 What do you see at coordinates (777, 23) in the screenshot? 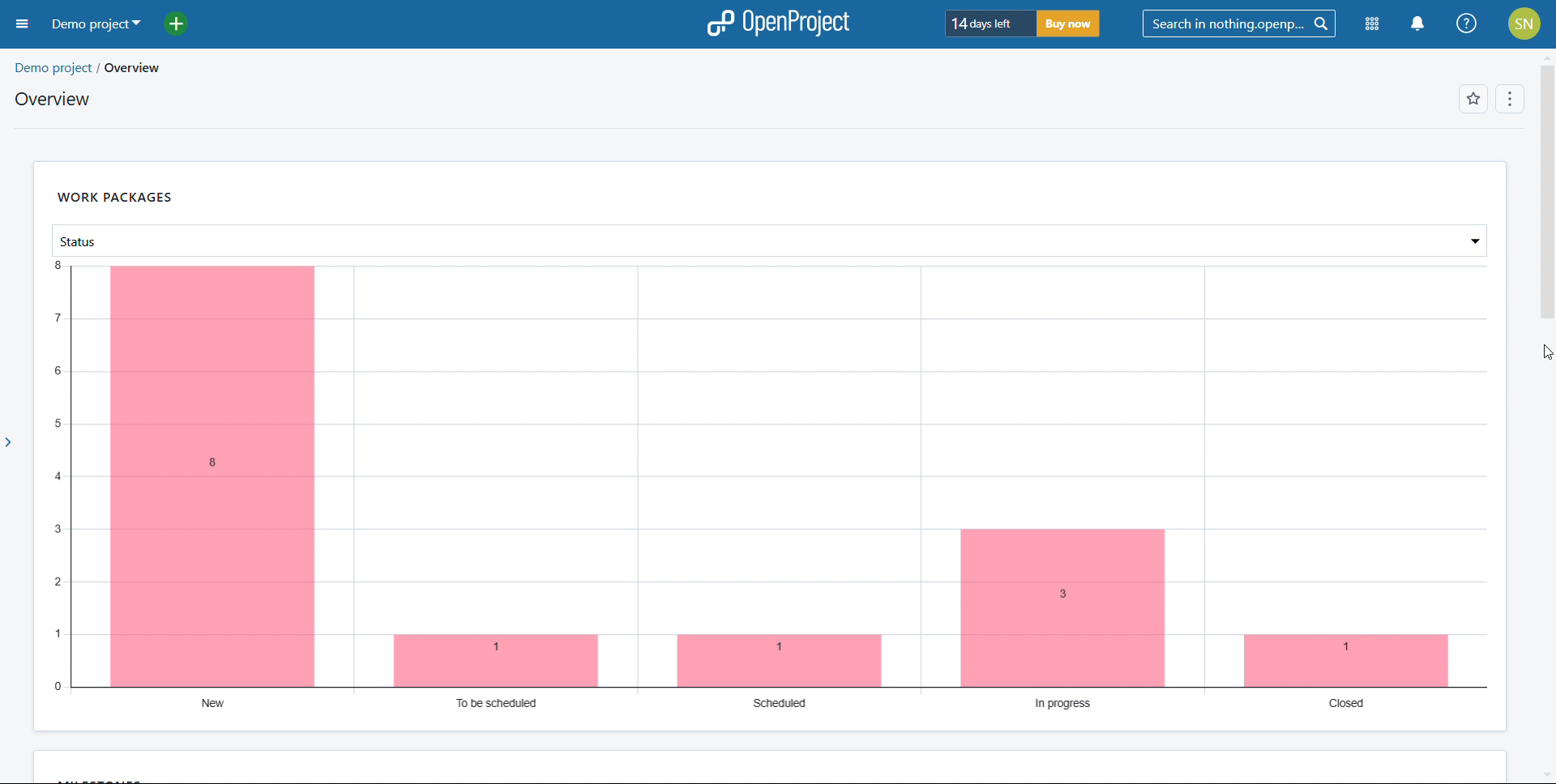
I see `logo` at bounding box center [777, 23].